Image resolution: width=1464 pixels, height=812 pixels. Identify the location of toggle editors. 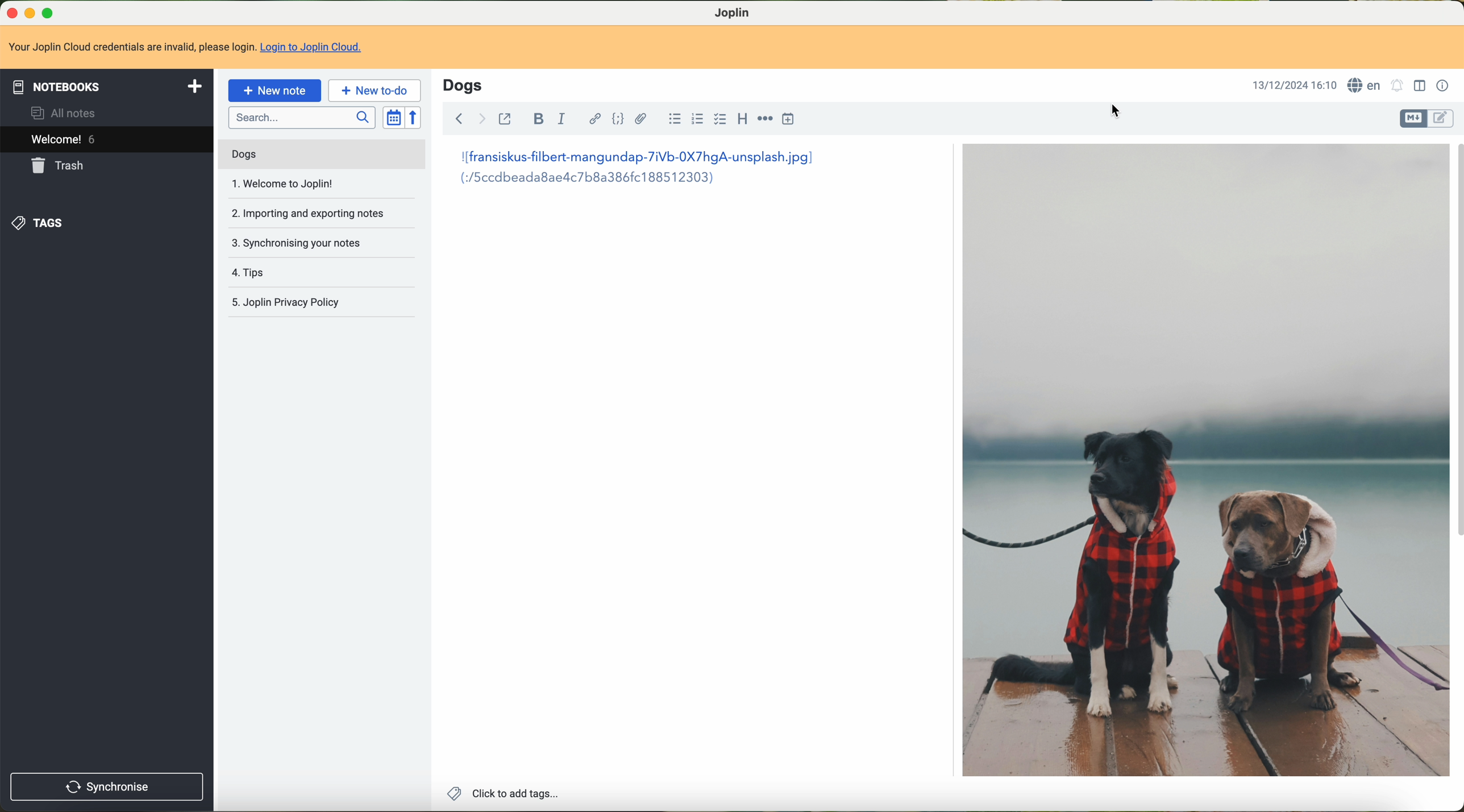
(1415, 118).